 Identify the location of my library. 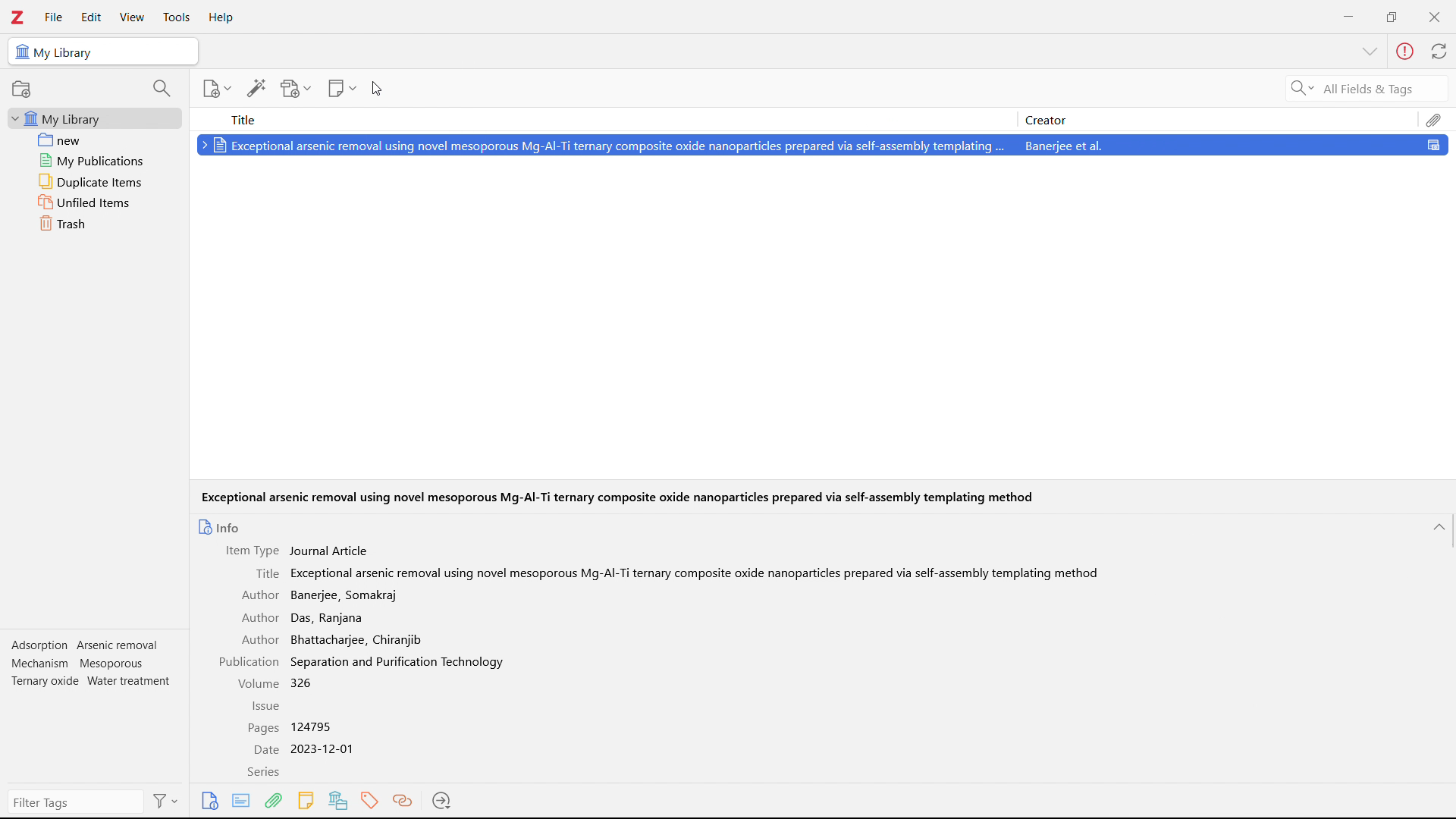
(94, 119).